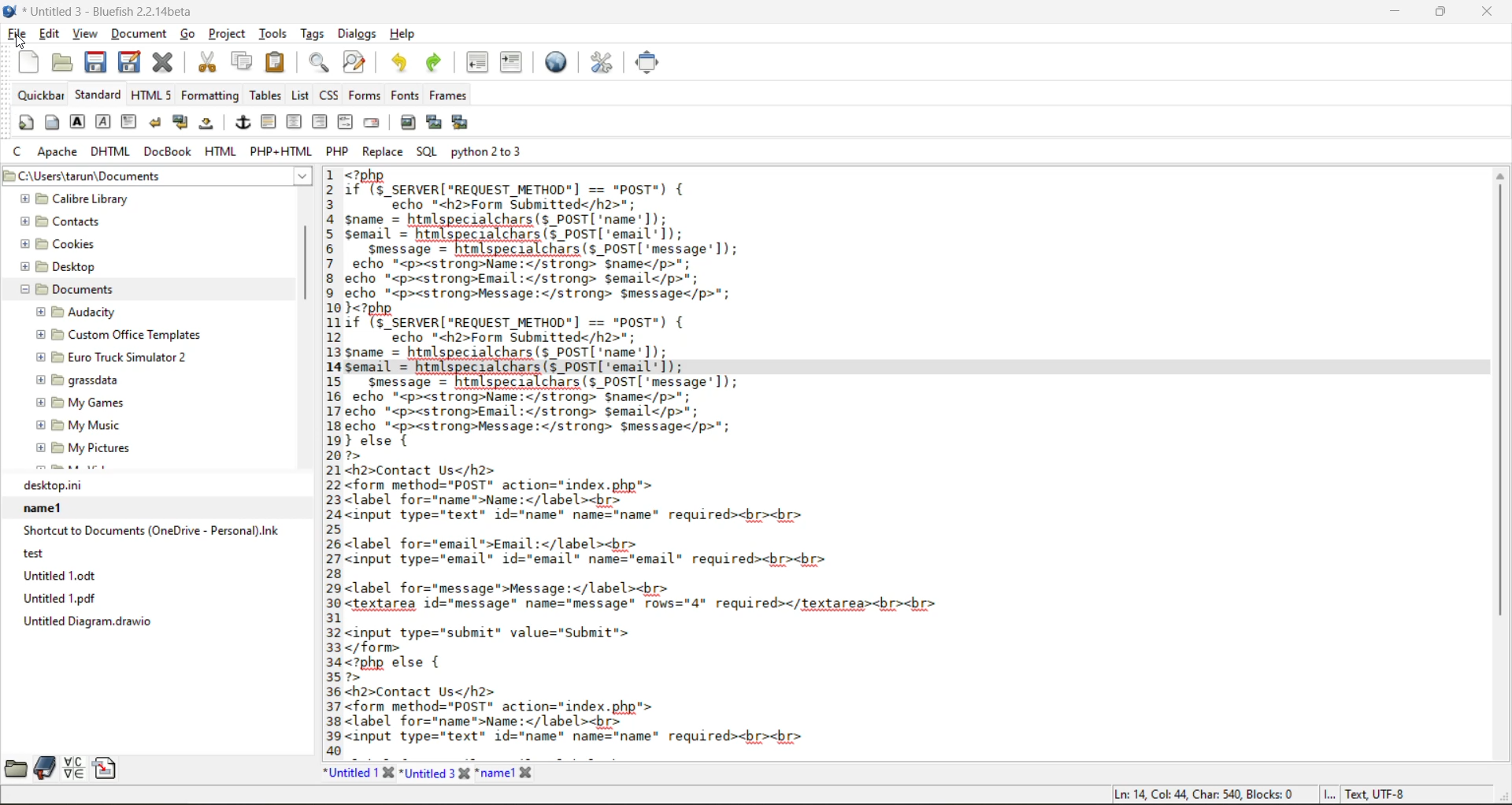 The width and height of the screenshot is (1512, 805). What do you see at coordinates (321, 64) in the screenshot?
I see `find bar` at bounding box center [321, 64].